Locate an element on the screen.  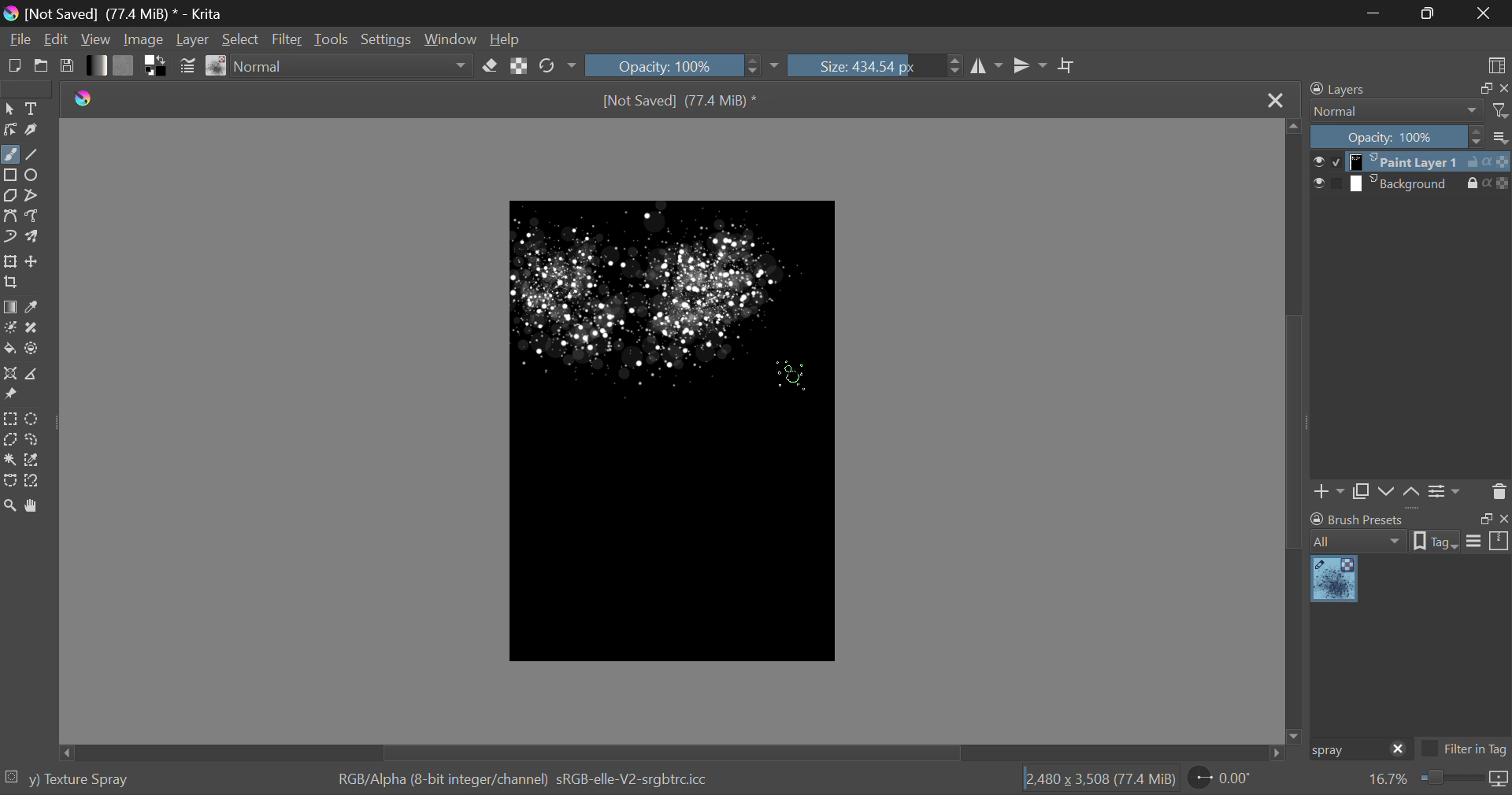
restore is located at coordinates (1483, 519).